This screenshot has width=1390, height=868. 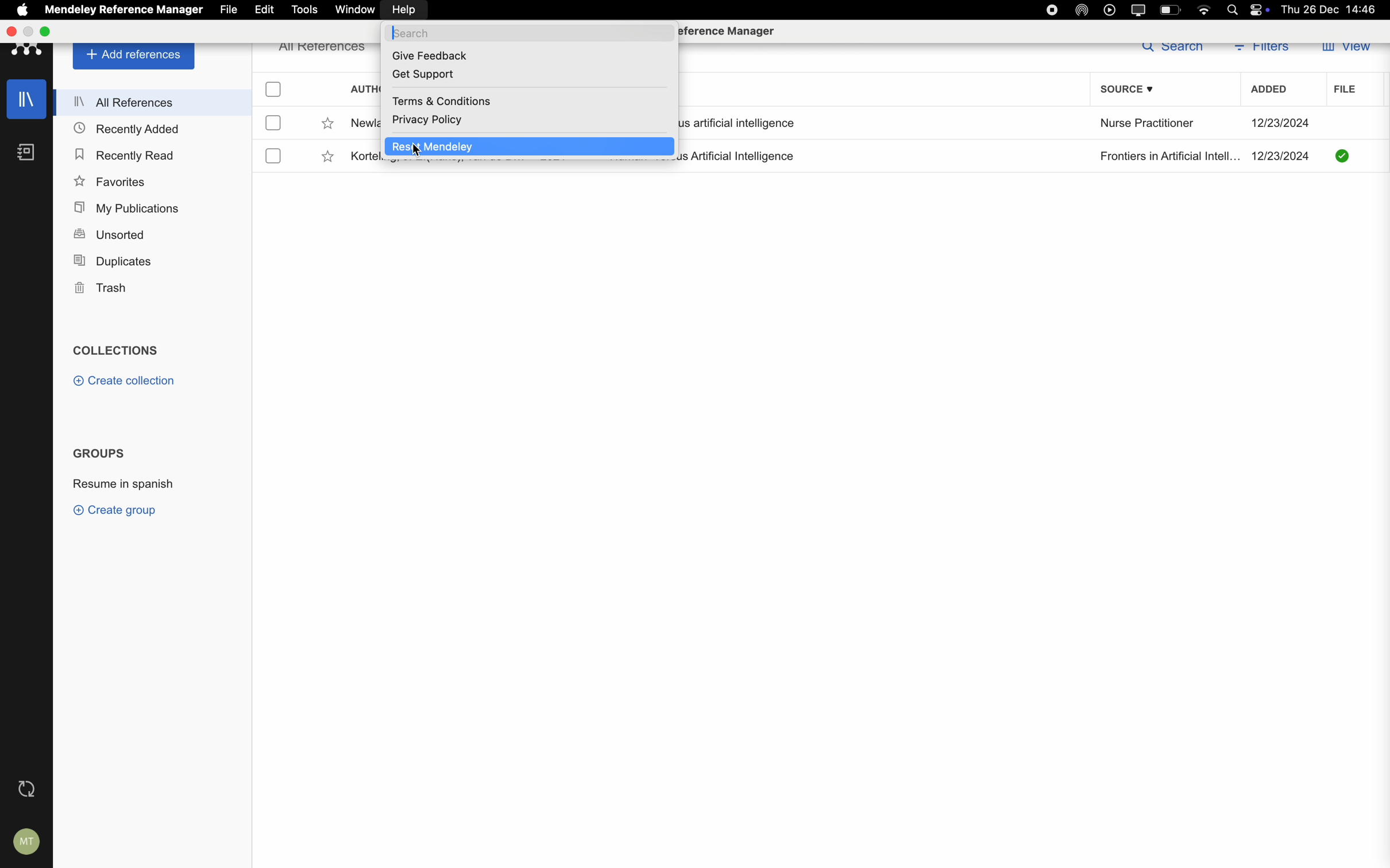 What do you see at coordinates (361, 123) in the screenshot?
I see `author` at bounding box center [361, 123].